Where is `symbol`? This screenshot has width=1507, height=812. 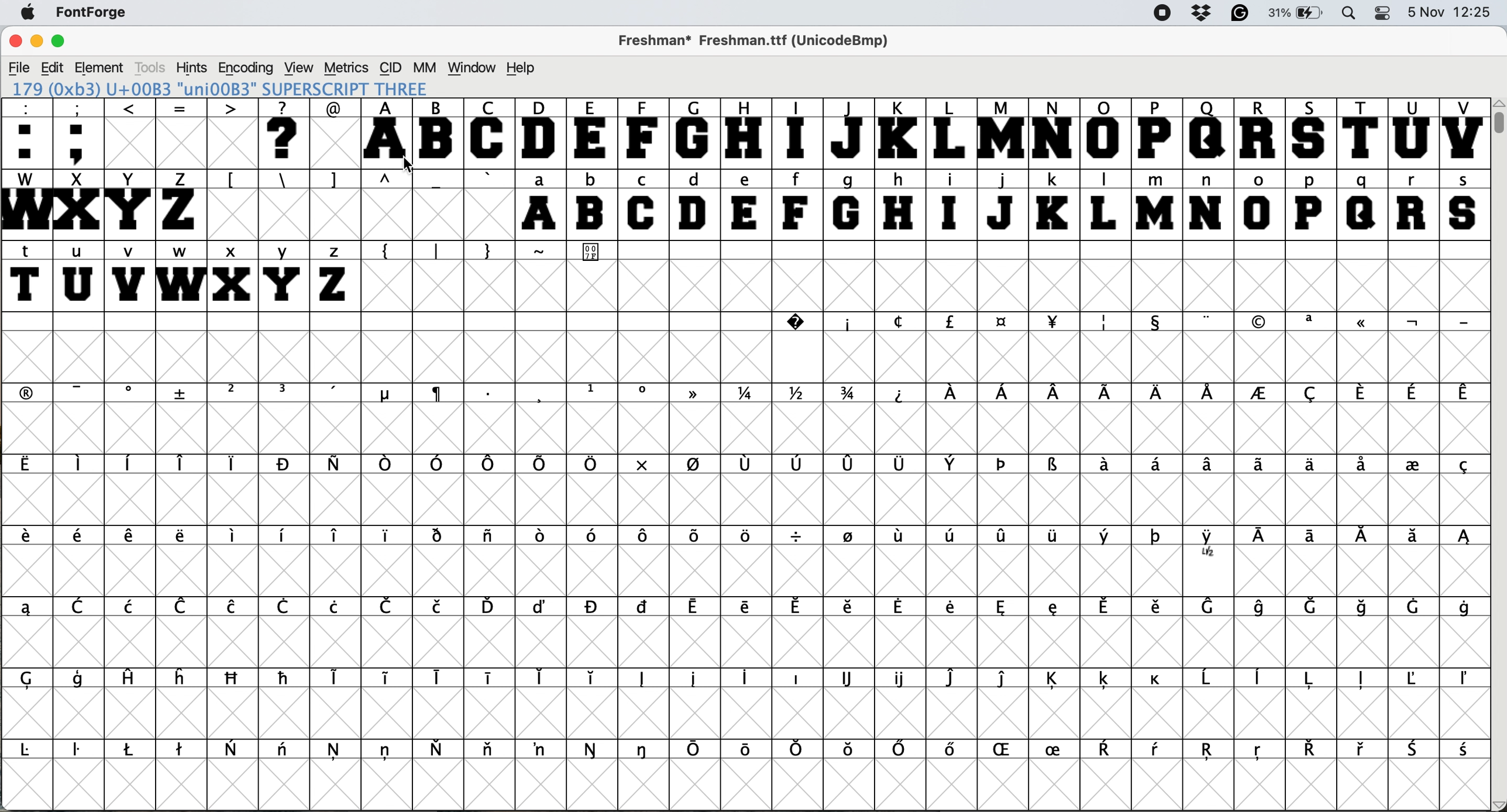 symbol is located at coordinates (234, 679).